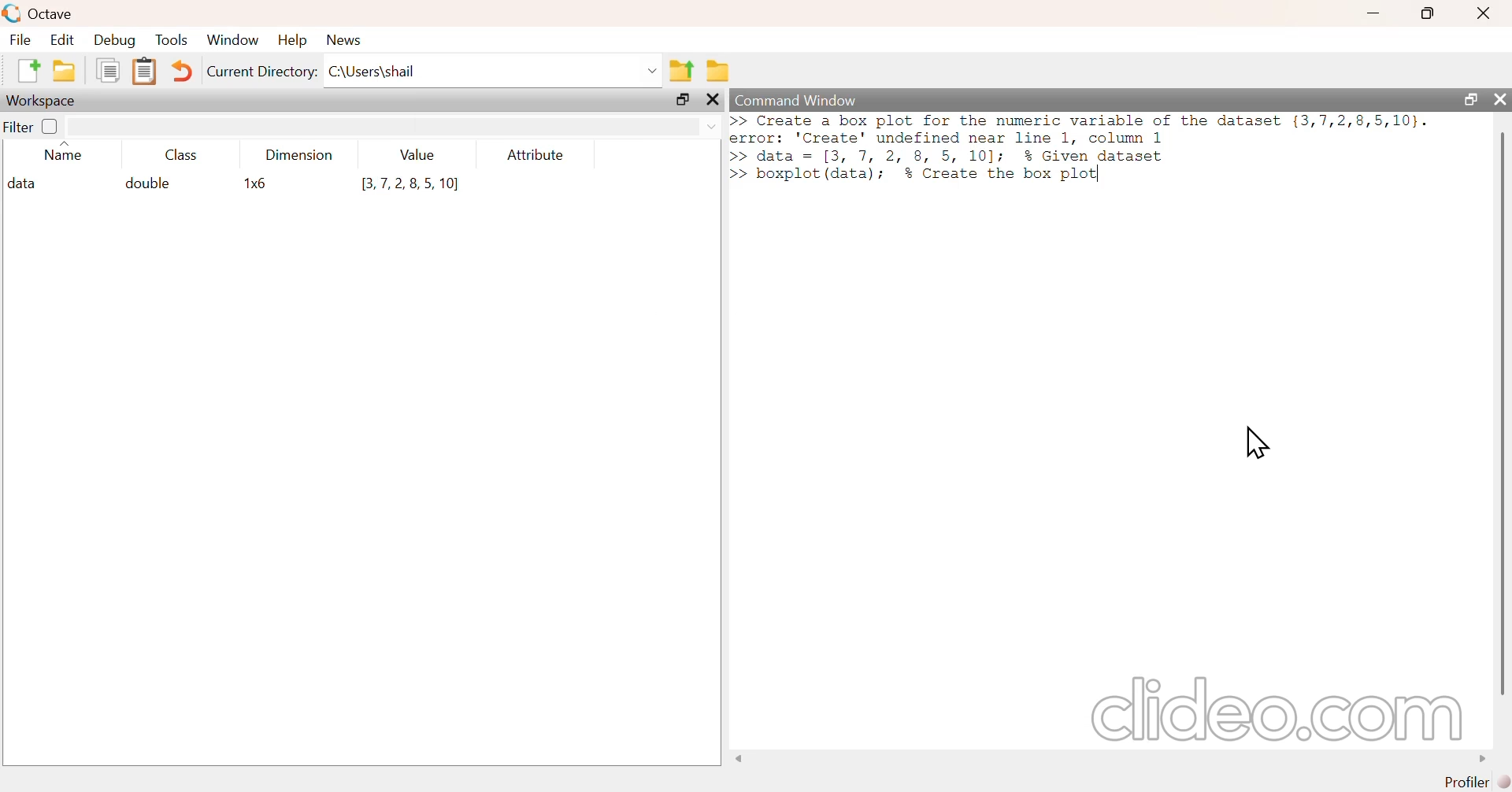  Describe the element at coordinates (28, 183) in the screenshot. I see `data` at that location.